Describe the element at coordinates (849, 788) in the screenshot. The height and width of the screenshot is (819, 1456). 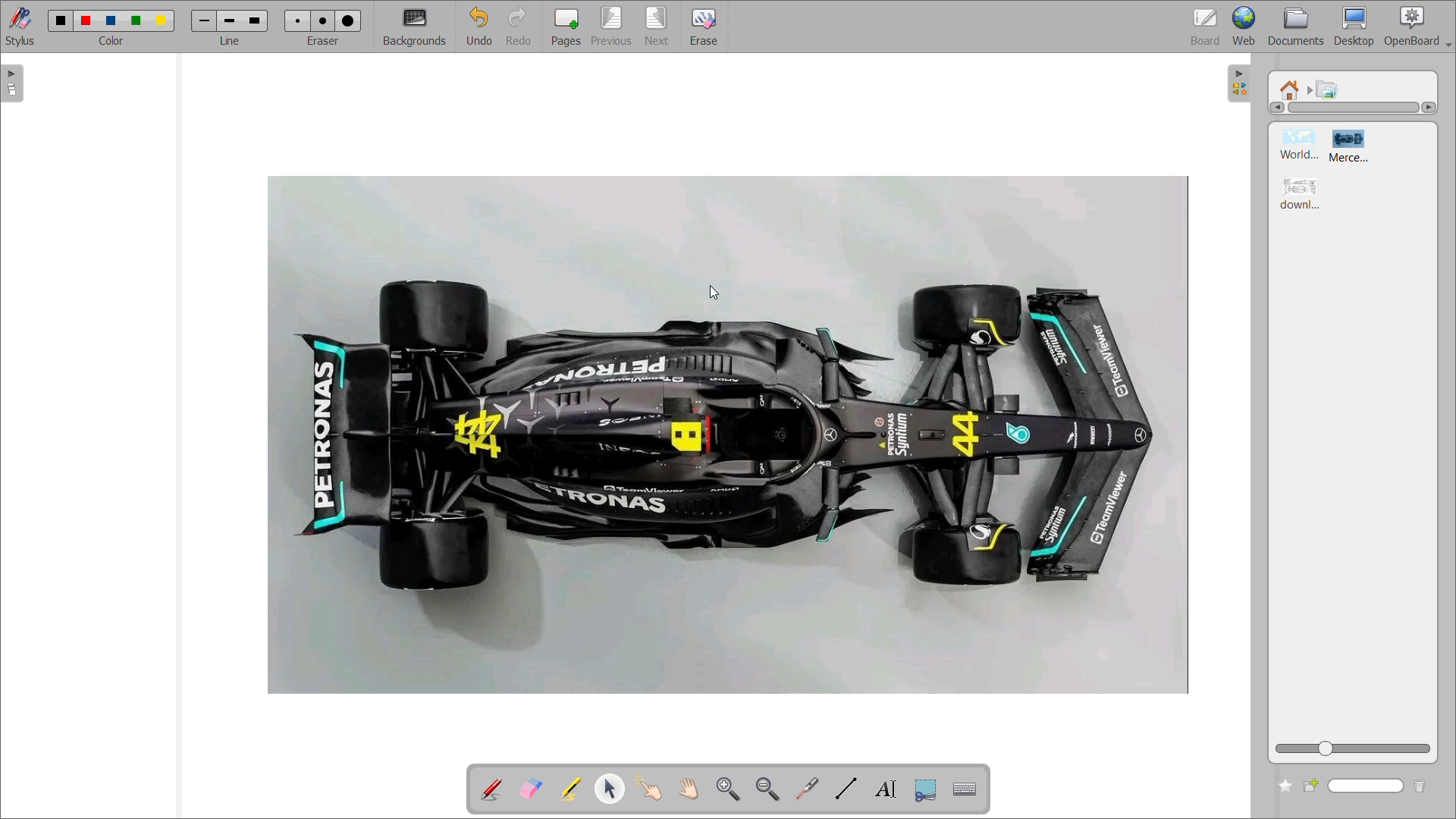
I see `draw lines` at that location.